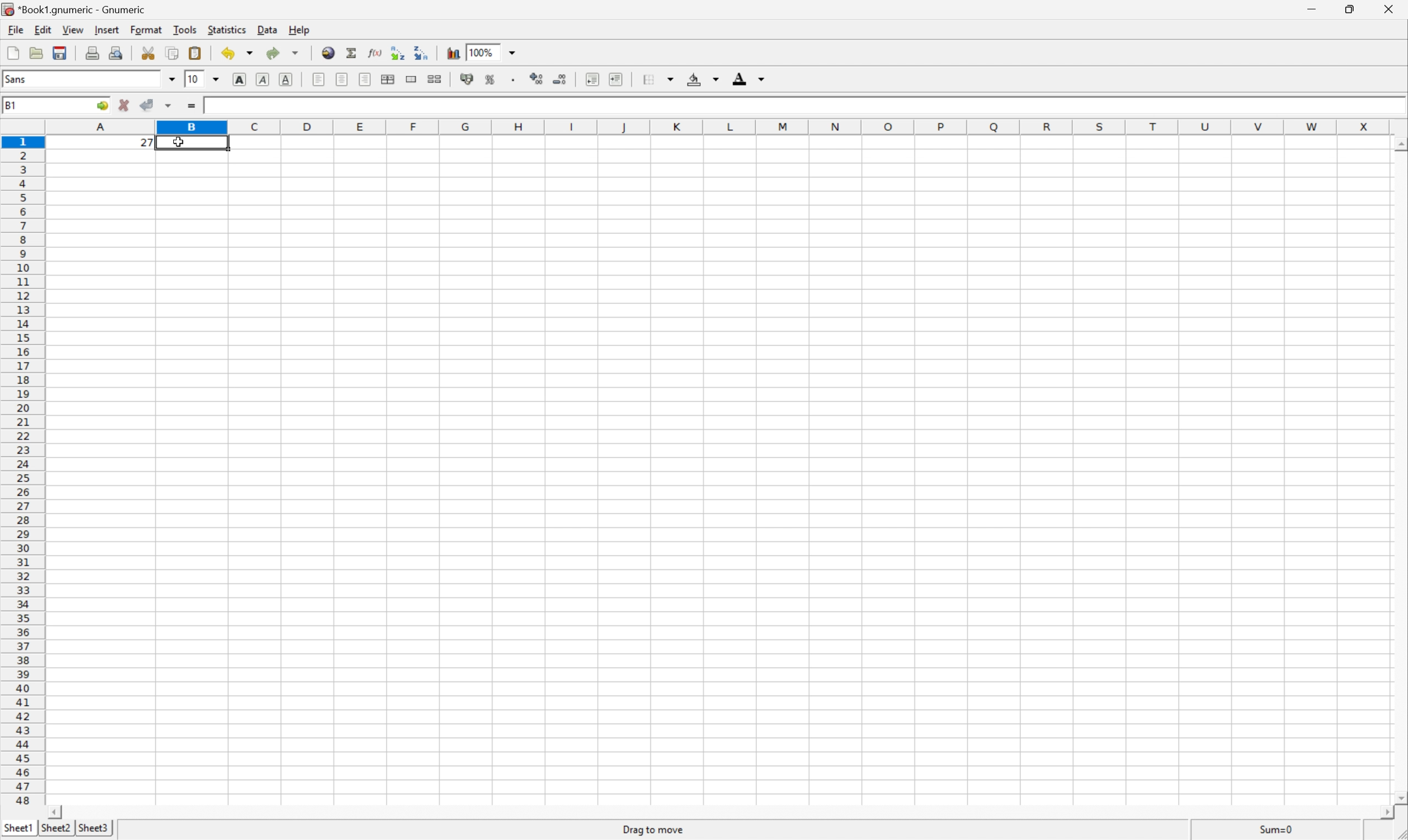 The height and width of the screenshot is (840, 1408). Describe the element at coordinates (180, 142) in the screenshot. I see `Cursor` at that location.